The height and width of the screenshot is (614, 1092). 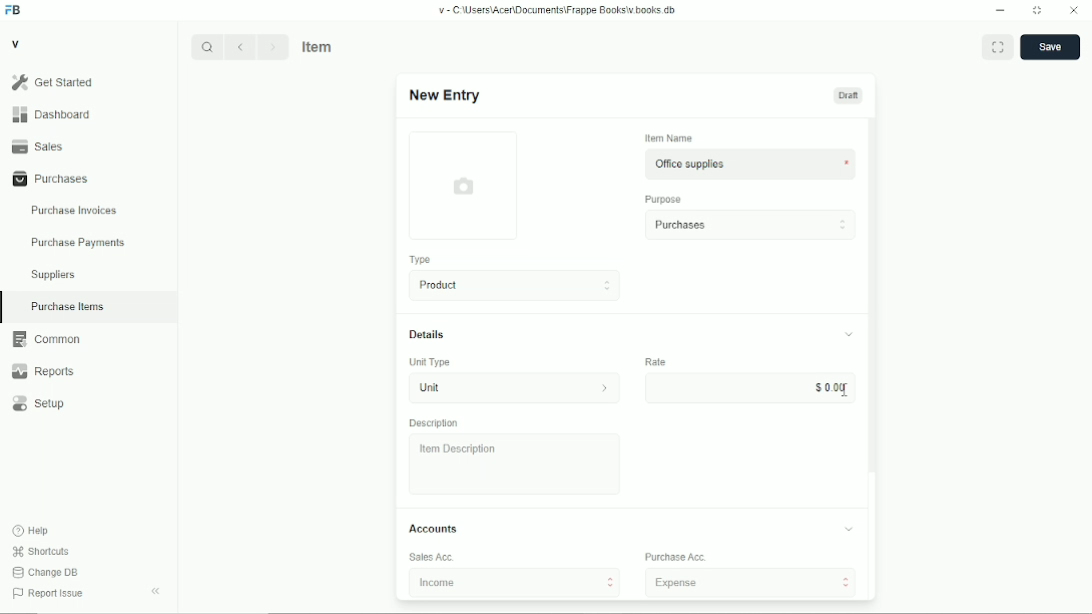 What do you see at coordinates (54, 114) in the screenshot?
I see `dashboard` at bounding box center [54, 114].